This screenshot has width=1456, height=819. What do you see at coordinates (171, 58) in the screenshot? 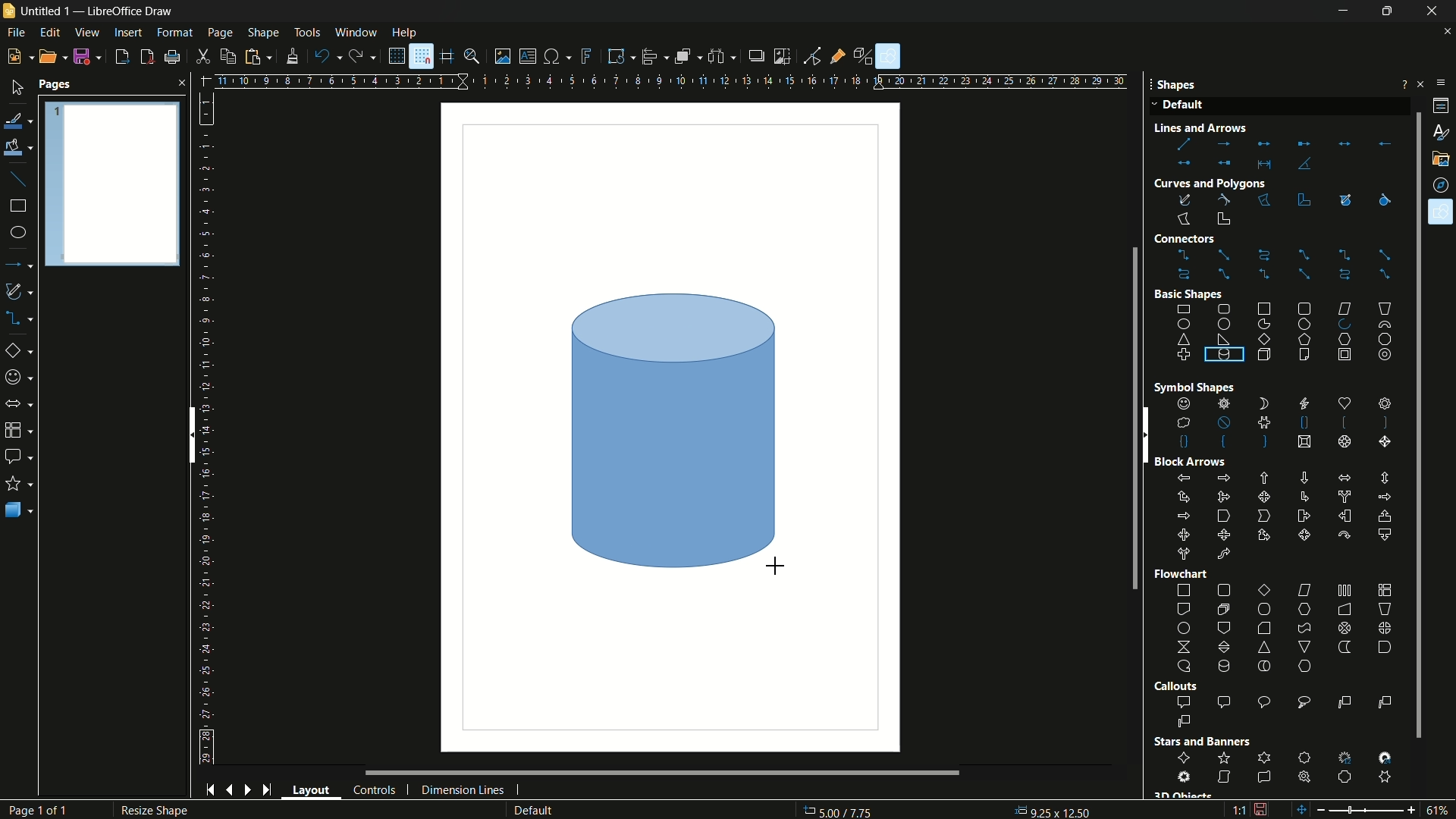
I see `print` at bounding box center [171, 58].